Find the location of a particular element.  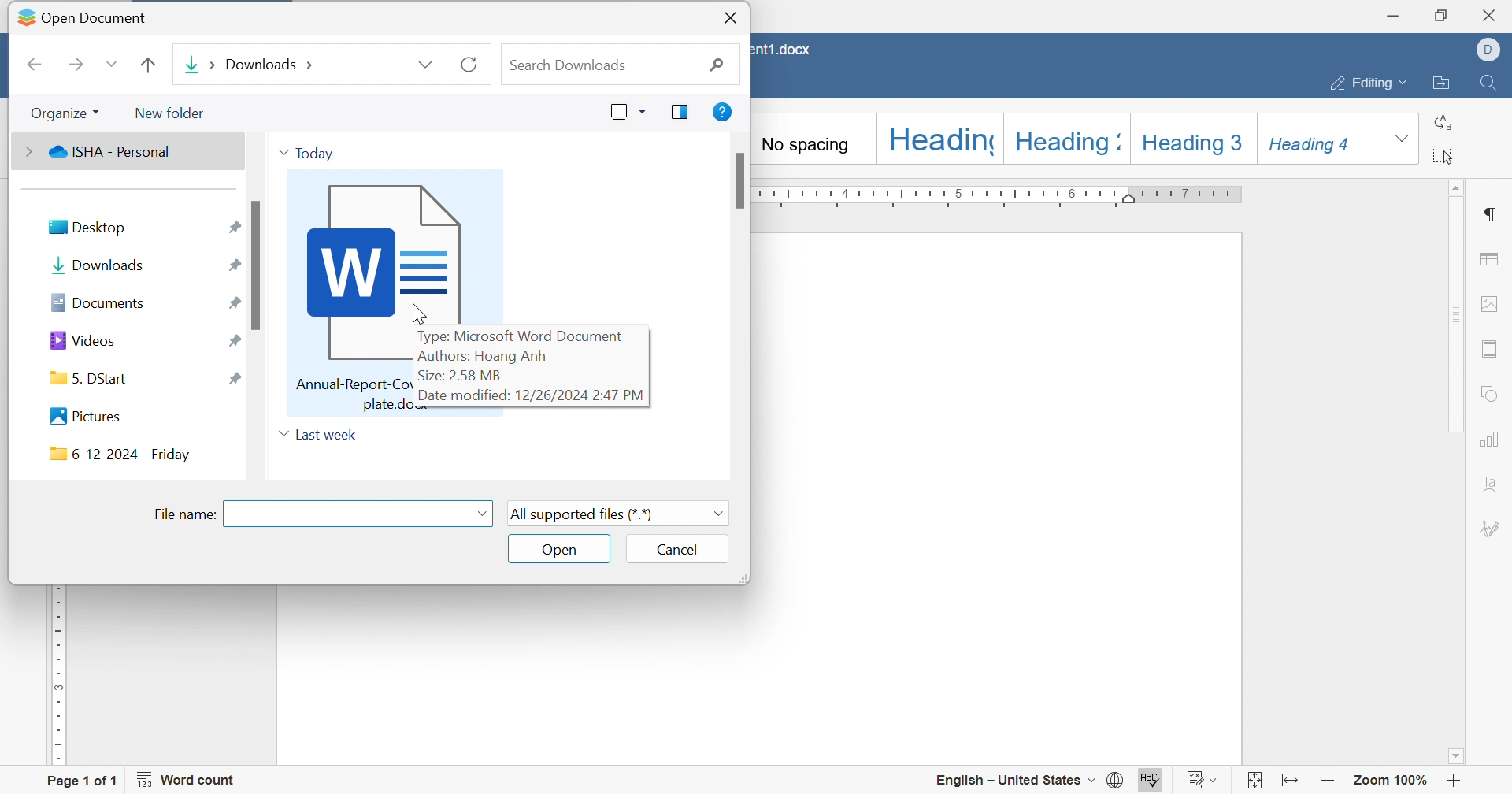

help is located at coordinates (726, 113).